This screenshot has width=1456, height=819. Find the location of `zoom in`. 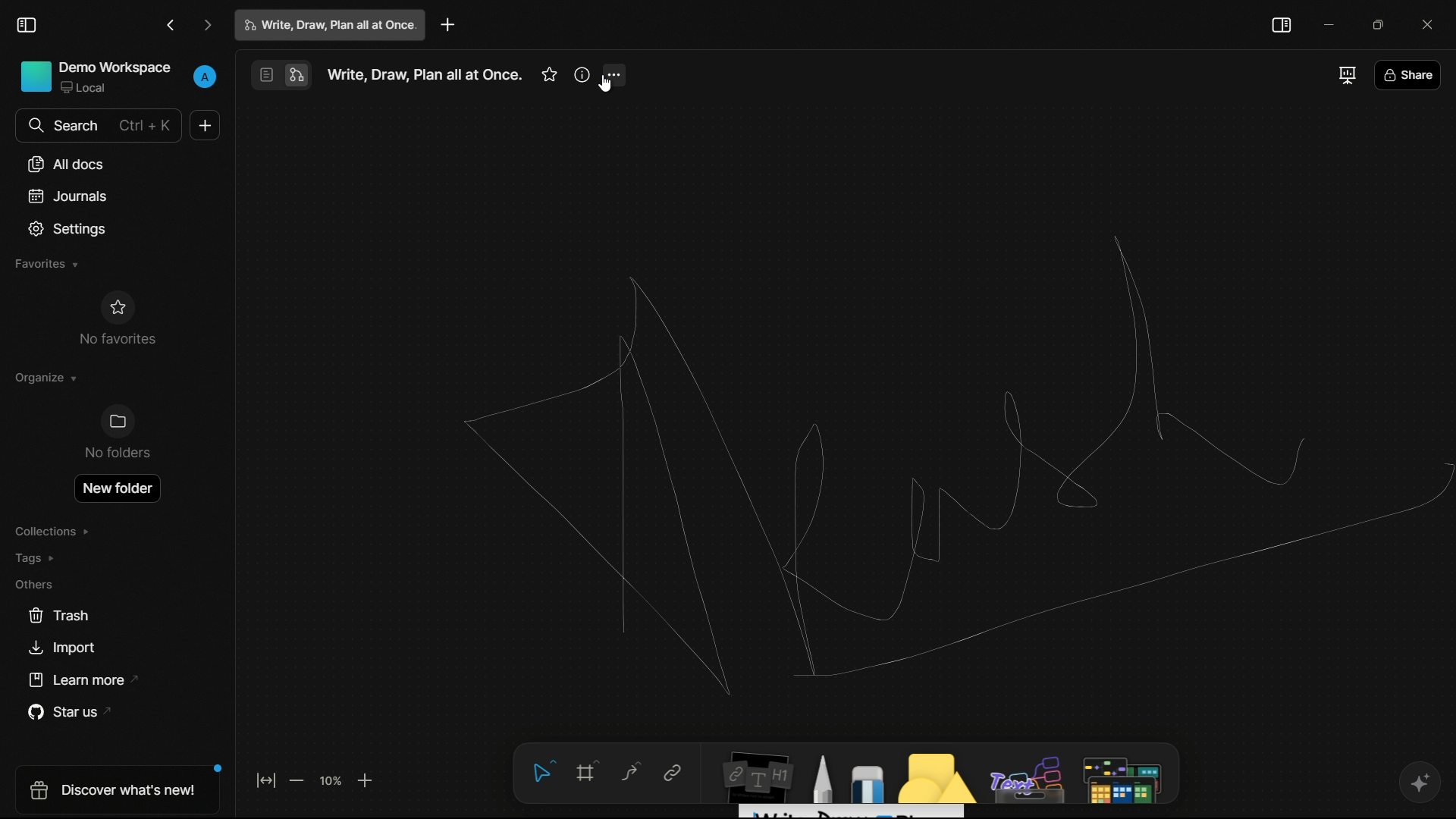

zoom in is located at coordinates (365, 782).